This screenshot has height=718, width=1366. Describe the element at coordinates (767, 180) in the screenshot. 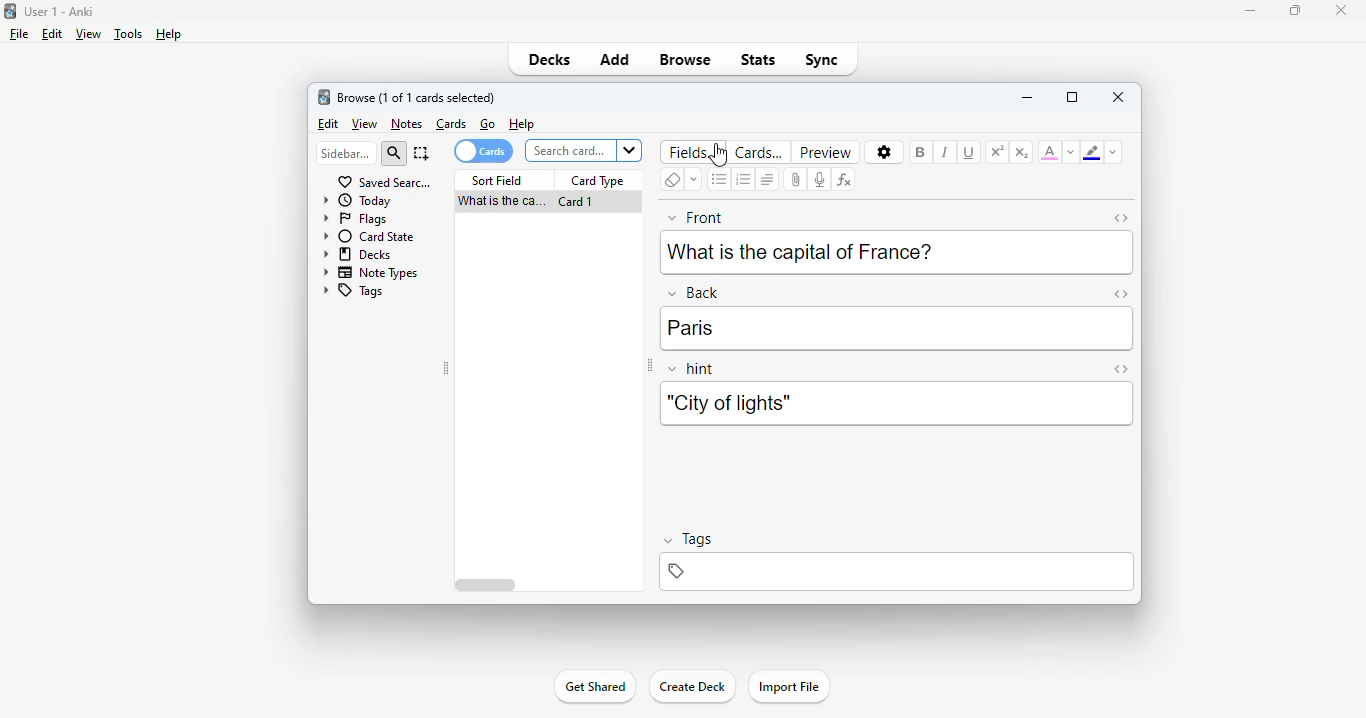

I see `alignment` at that location.